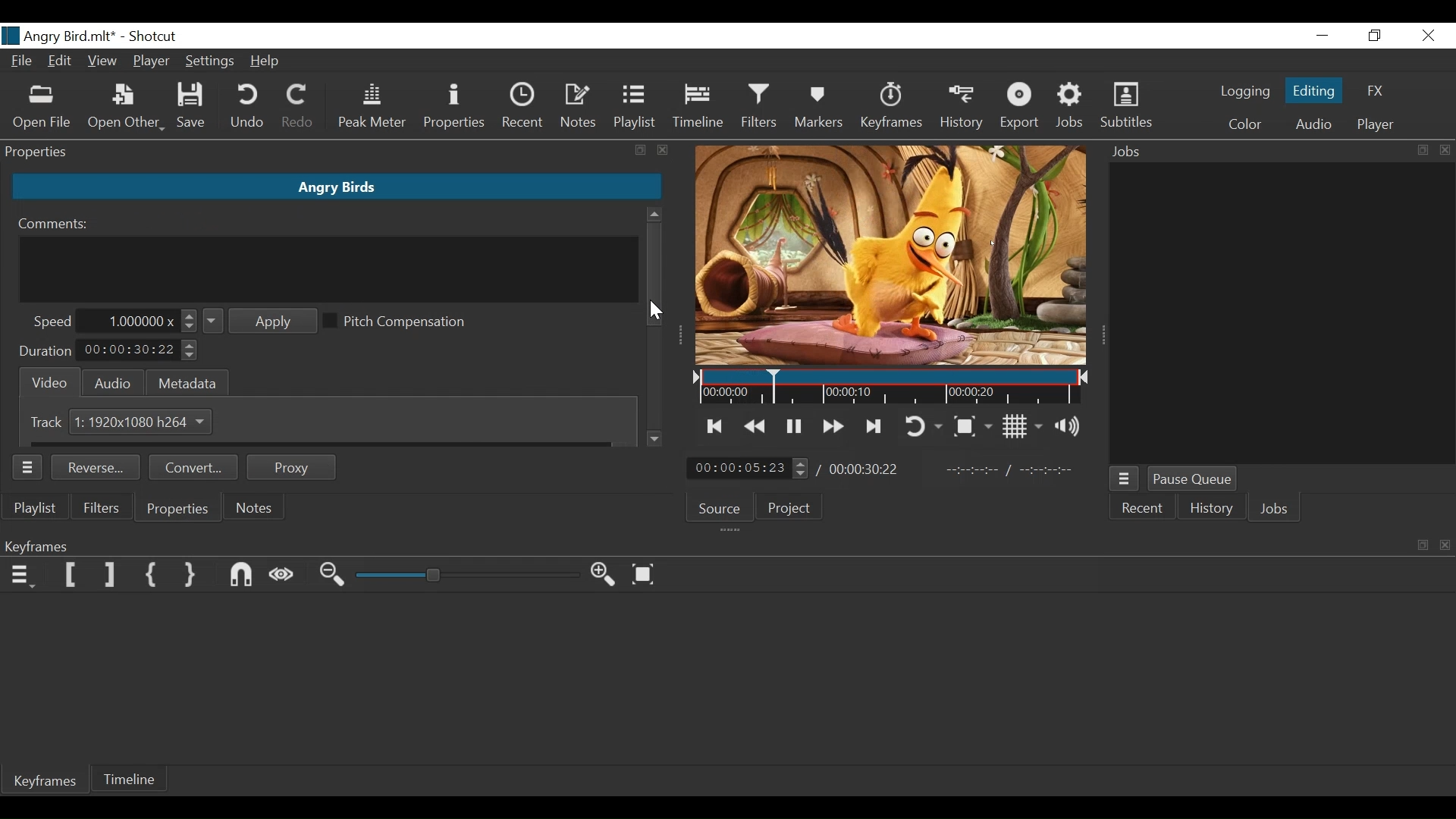  I want to click on Keyframes, so click(47, 783).